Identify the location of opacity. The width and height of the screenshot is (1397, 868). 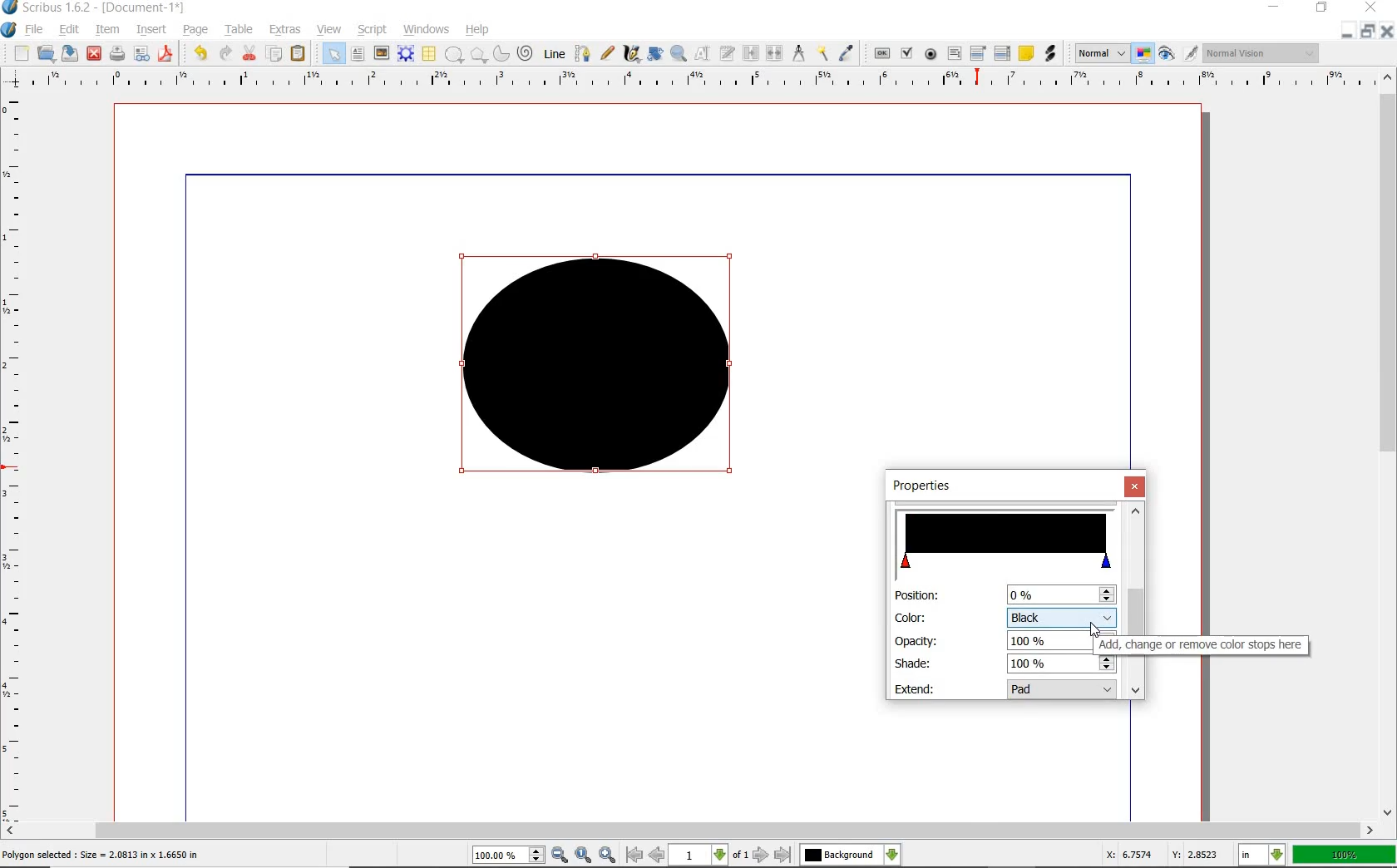
(1049, 640).